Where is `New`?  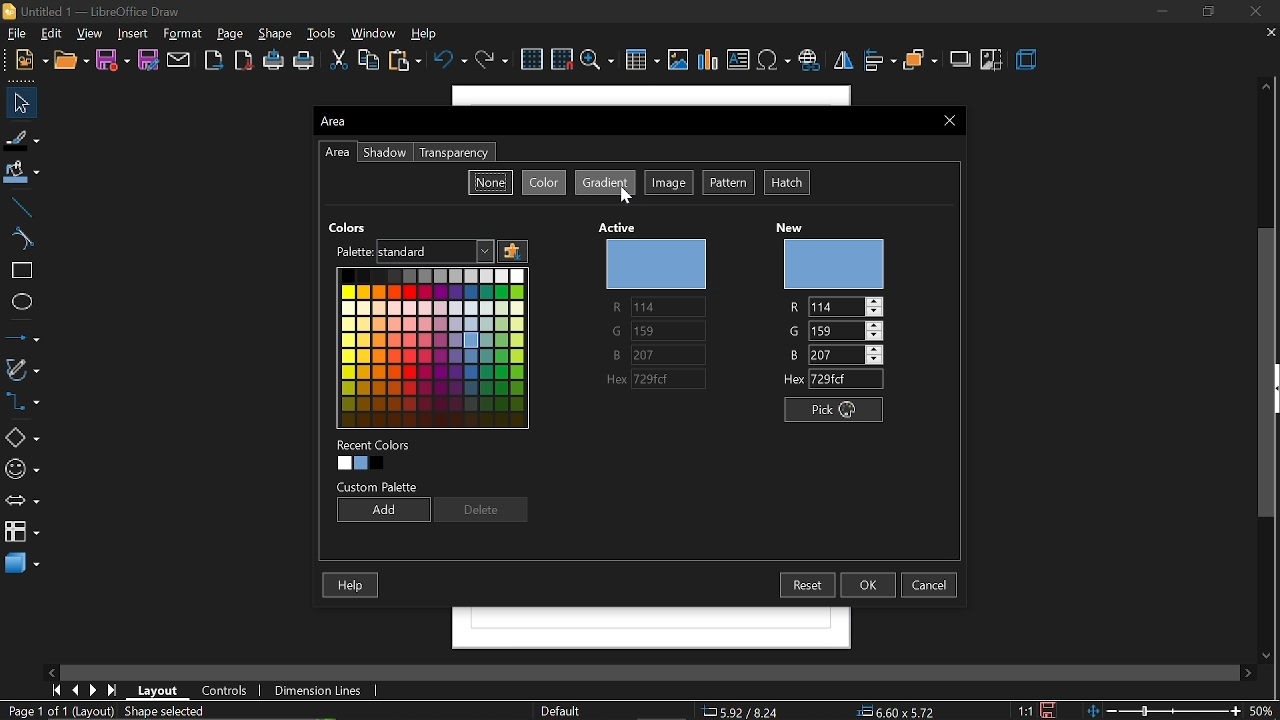
New is located at coordinates (24, 60).